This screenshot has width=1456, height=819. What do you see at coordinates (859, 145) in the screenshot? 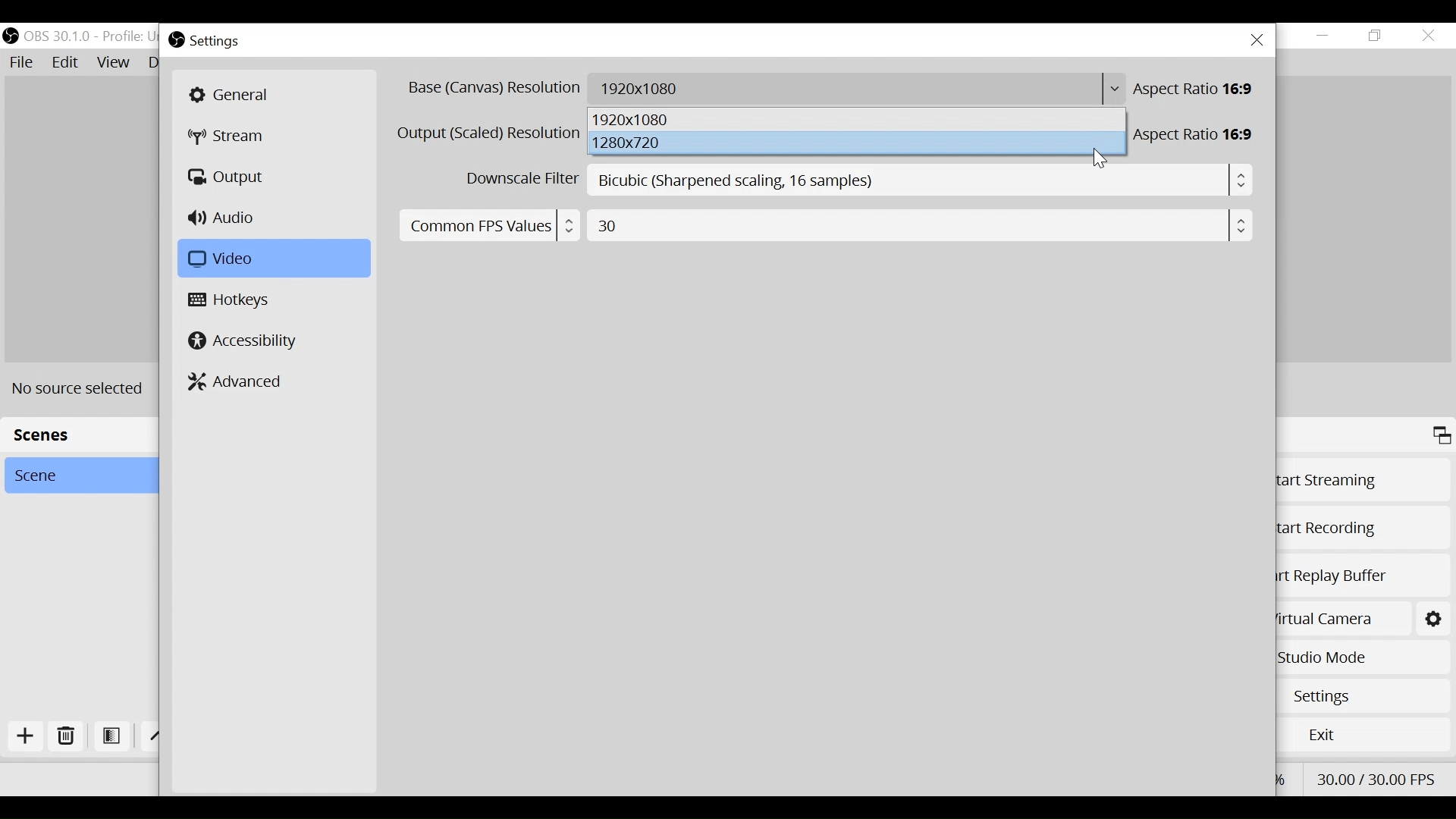
I see `1280*720` at bounding box center [859, 145].